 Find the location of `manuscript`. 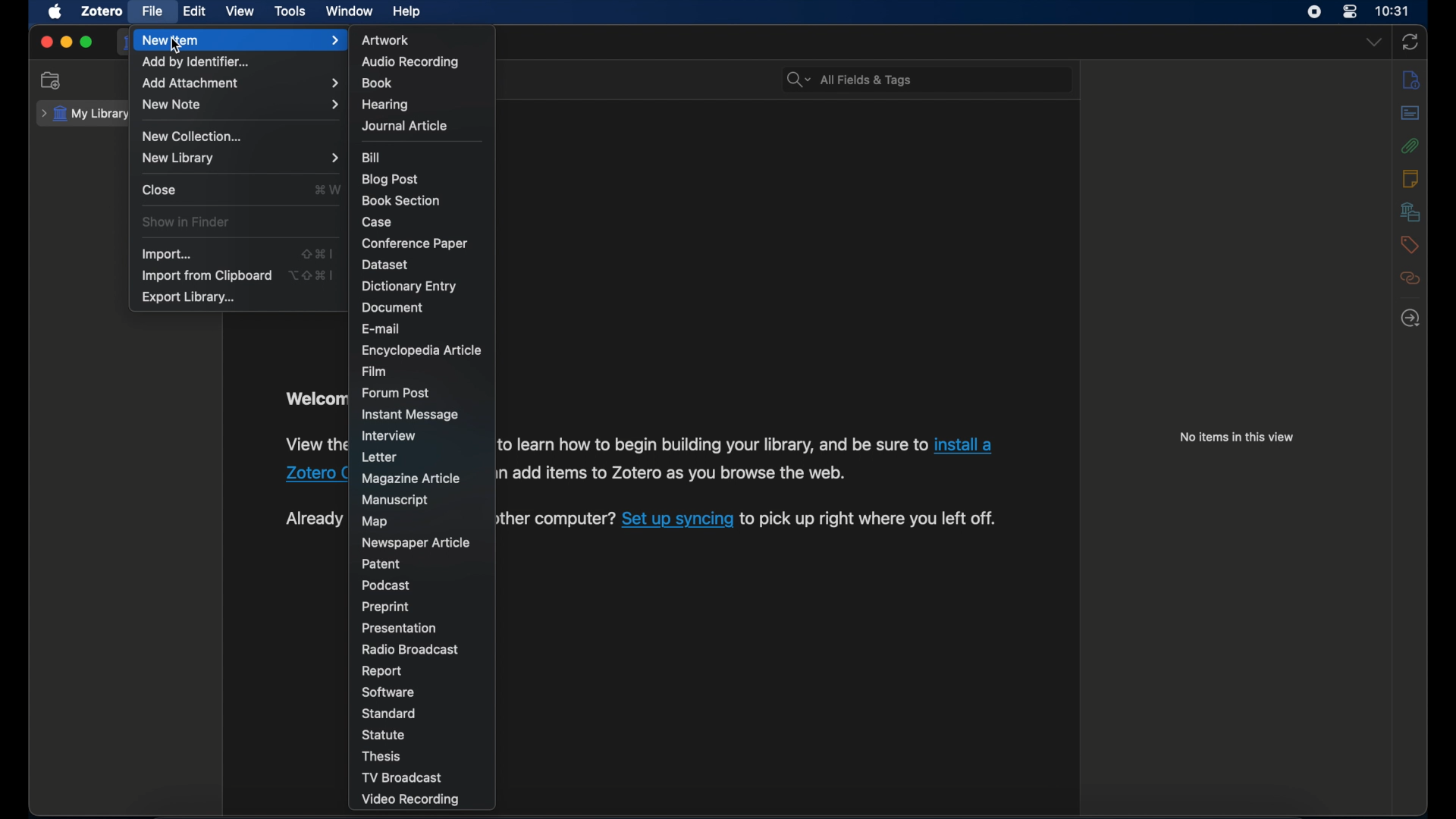

manuscript is located at coordinates (396, 500).